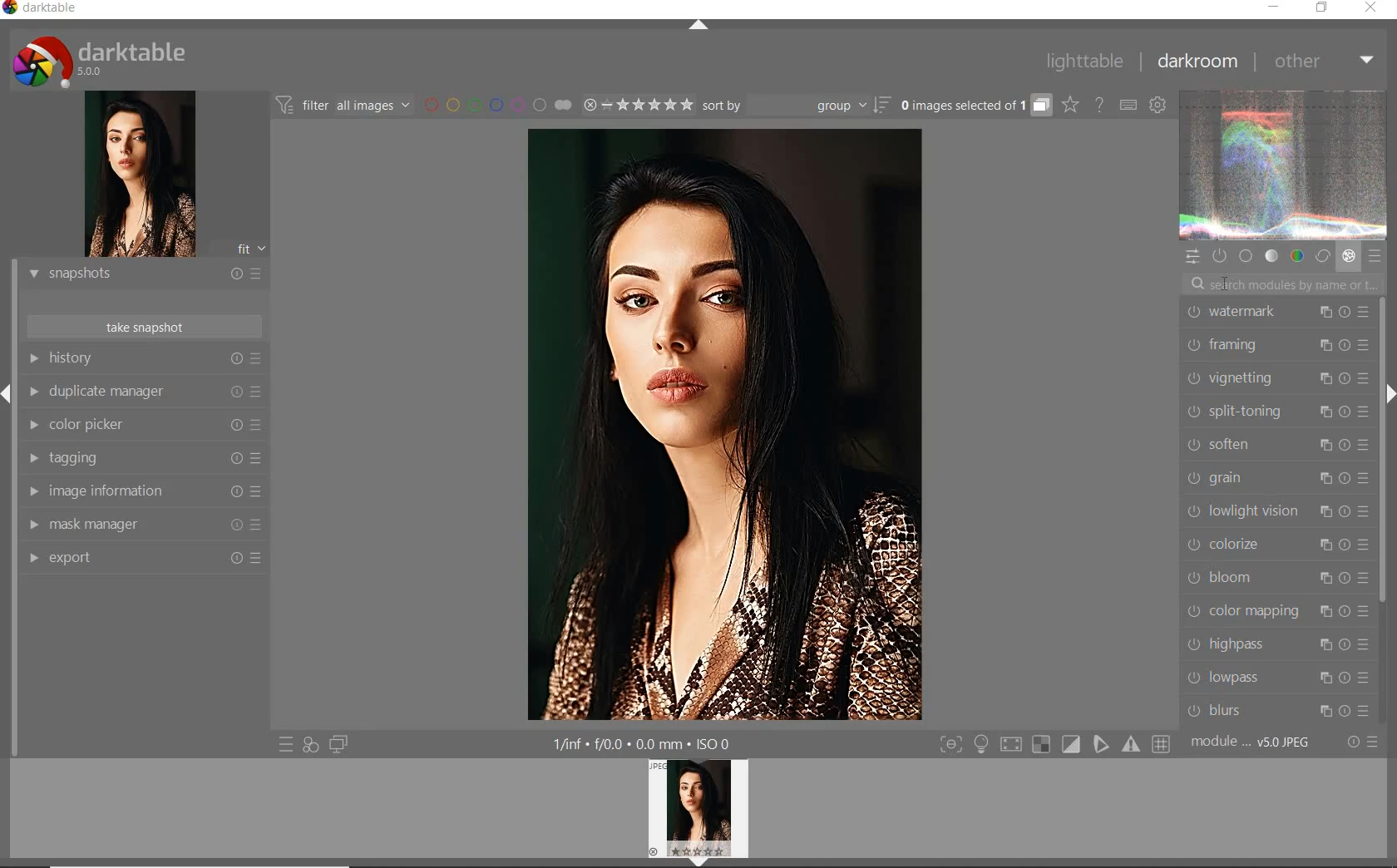 The width and height of the screenshot is (1397, 868). I want to click on MINIMIZE, so click(1274, 8).